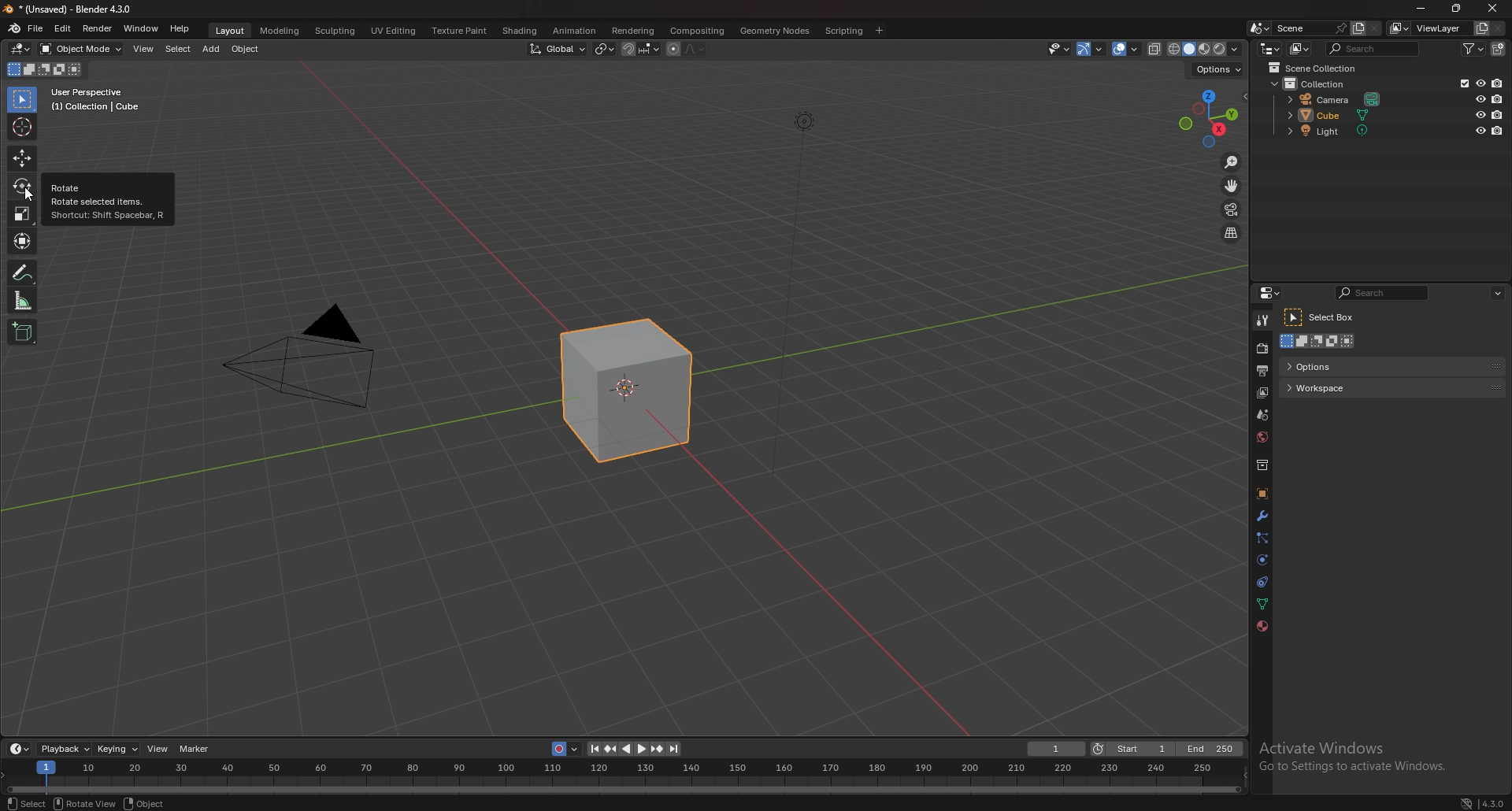 This screenshot has height=811, width=1512. I want to click on layout, so click(233, 32).